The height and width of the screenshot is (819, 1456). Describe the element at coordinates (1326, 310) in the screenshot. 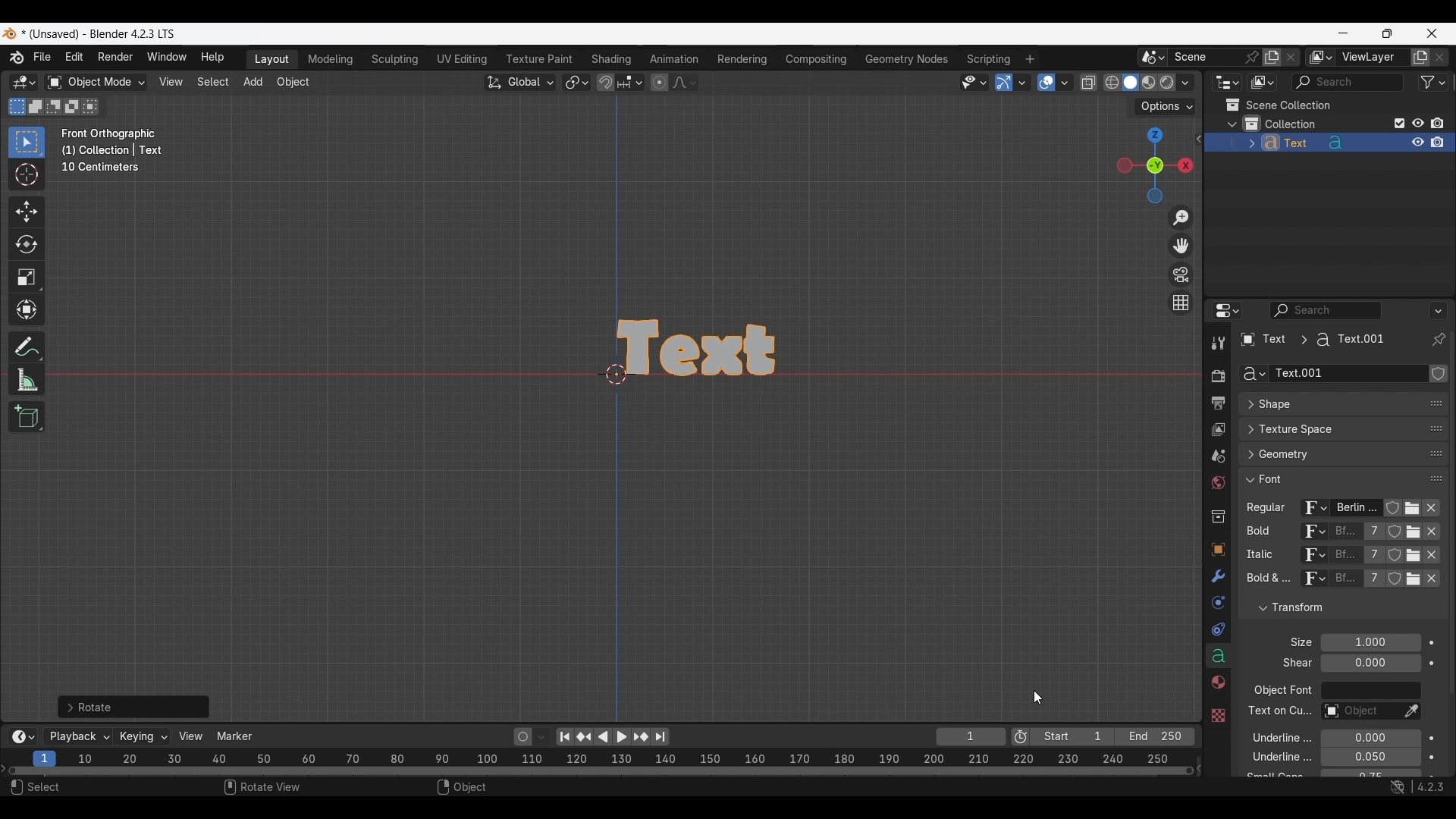

I see `Display filter` at that location.